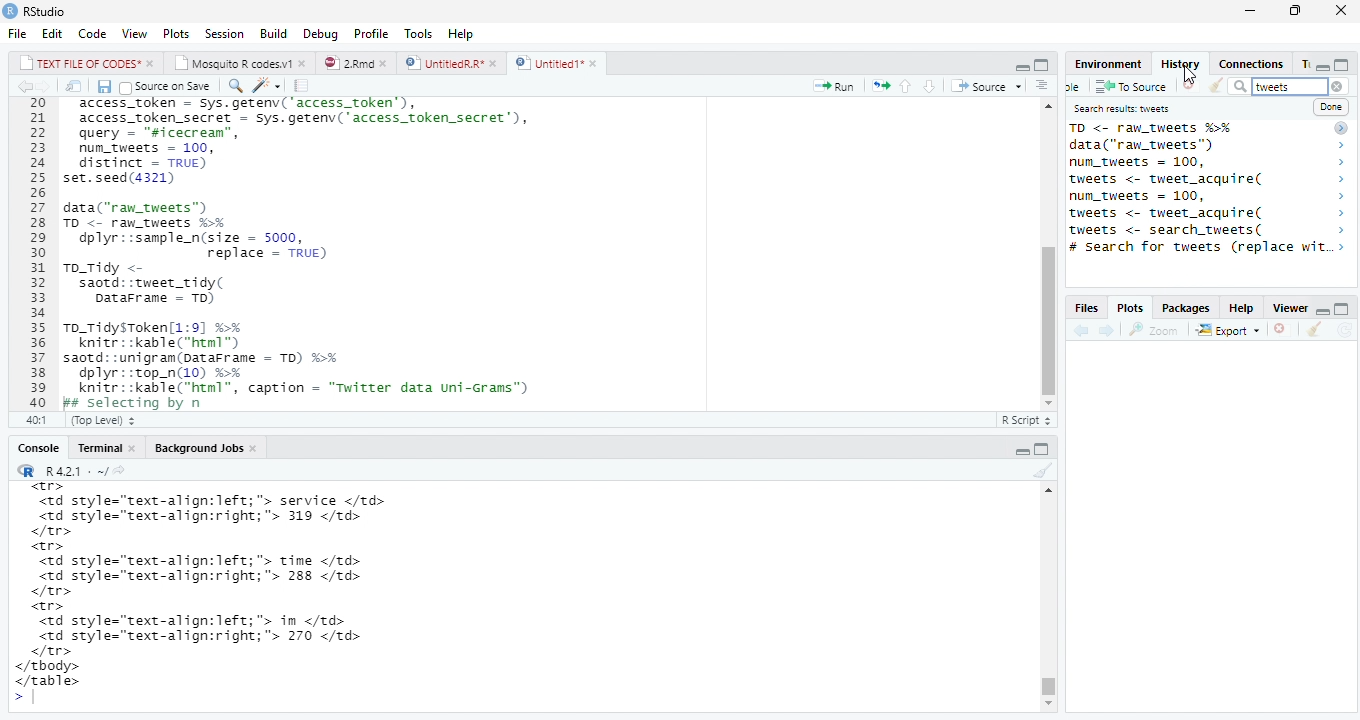 The height and width of the screenshot is (720, 1360). I want to click on 20 access_token - Sys.getenv('access_token’),
21 access_token_secret - sys.getenv( access_token secret’),
22 query - "sicecrean”,

23 num_tweets = 100,

24 distinct = TRUE)

25 set.seed(4321)

26

27 data("raw_tweets")

28 TD <- raw tweets H¥

29 dplyr::sample_n(size = 5000,

30 replace = TRUE)

31 To_Tidy <-

32 saotd::tweet_tidy(

33 Datarrame - TD)

34

35 To_TidysToken[1:9] %%

36 knitr::kable("html™)

37 saotd: :unigram(pataFrame = TD) %>%

38 dplyr::top_n(10) %%

39 knitr::kable("html”, caption = "Twitter data uni-Grams")
40 Bs selecting bv n, so click(303, 266).